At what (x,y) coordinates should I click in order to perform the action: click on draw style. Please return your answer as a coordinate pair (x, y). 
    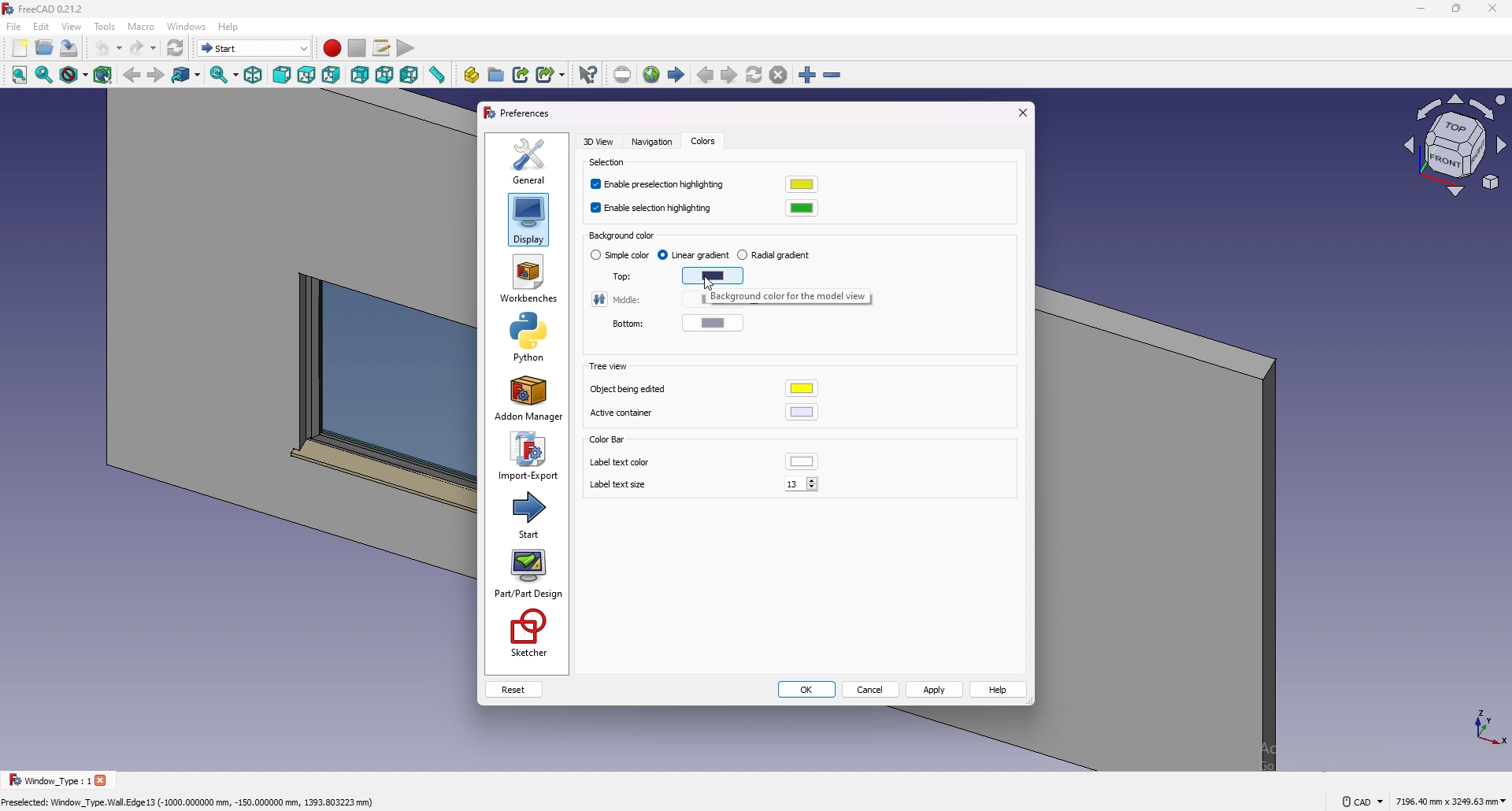
    Looking at the image, I should click on (74, 76).